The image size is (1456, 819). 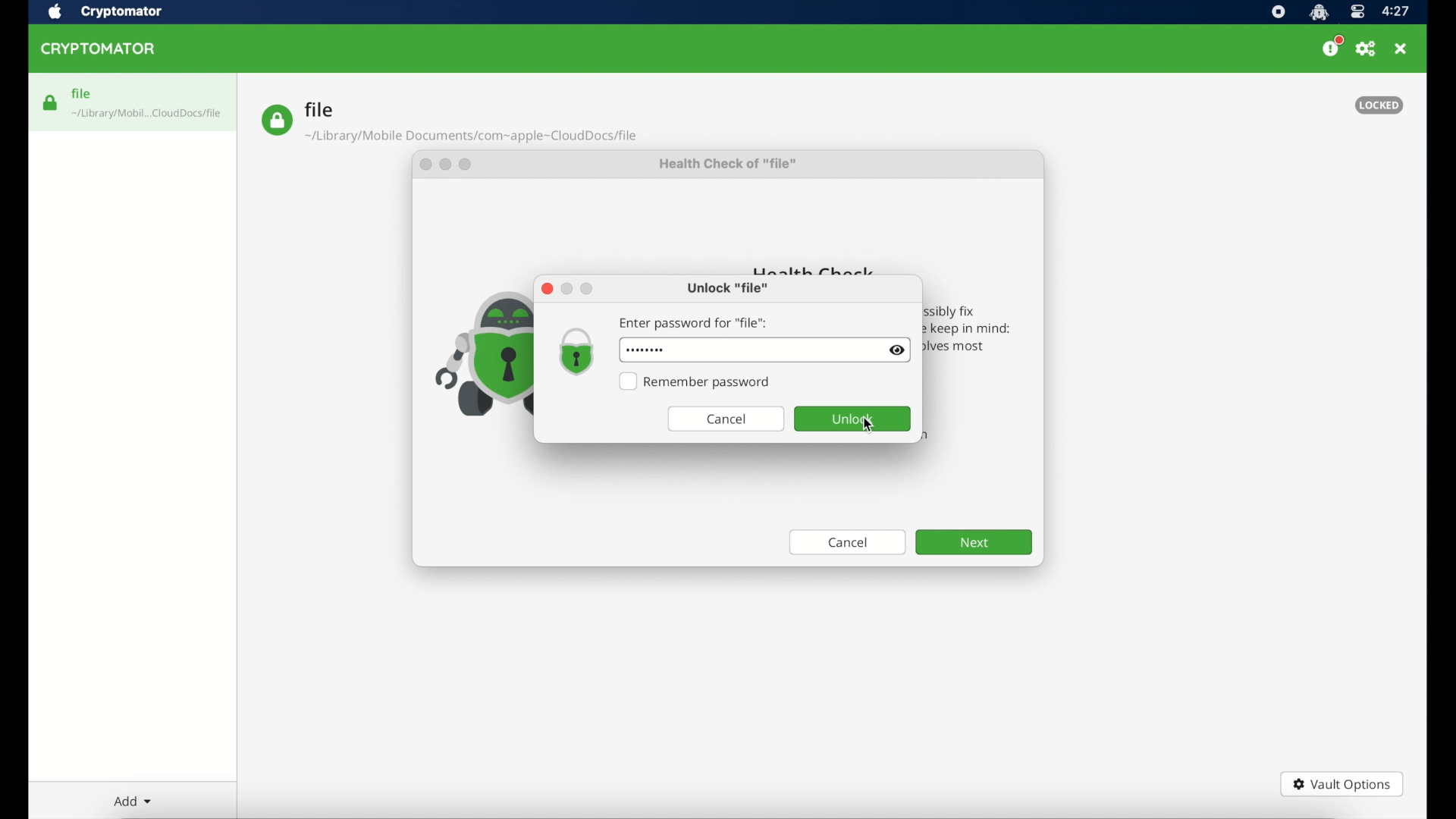 What do you see at coordinates (869, 427) in the screenshot?
I see `cursor` at bounding box center [869, 427].